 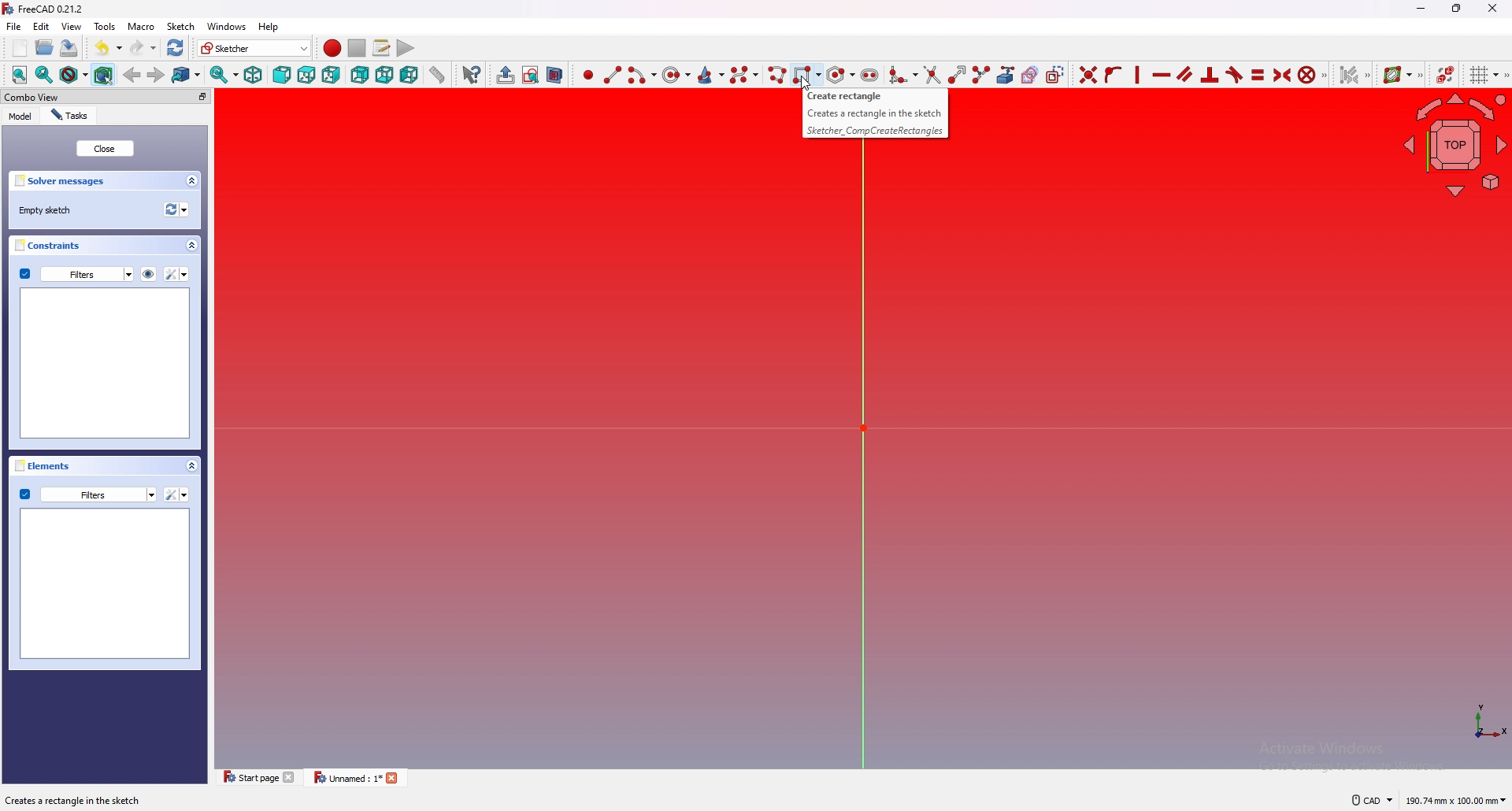 I want to click on view, so click(x=72, y=26).